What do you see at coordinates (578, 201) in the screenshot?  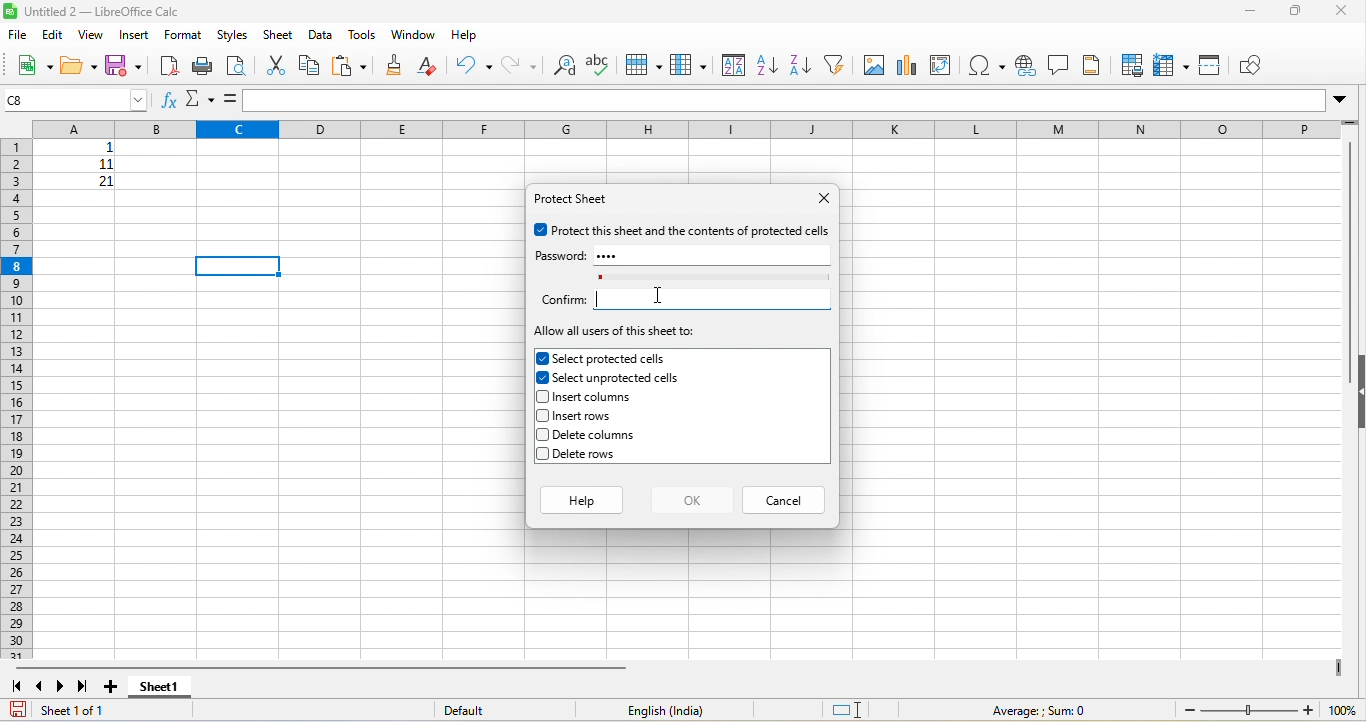 I see `protect sheet` at bounding box center [578, 201].